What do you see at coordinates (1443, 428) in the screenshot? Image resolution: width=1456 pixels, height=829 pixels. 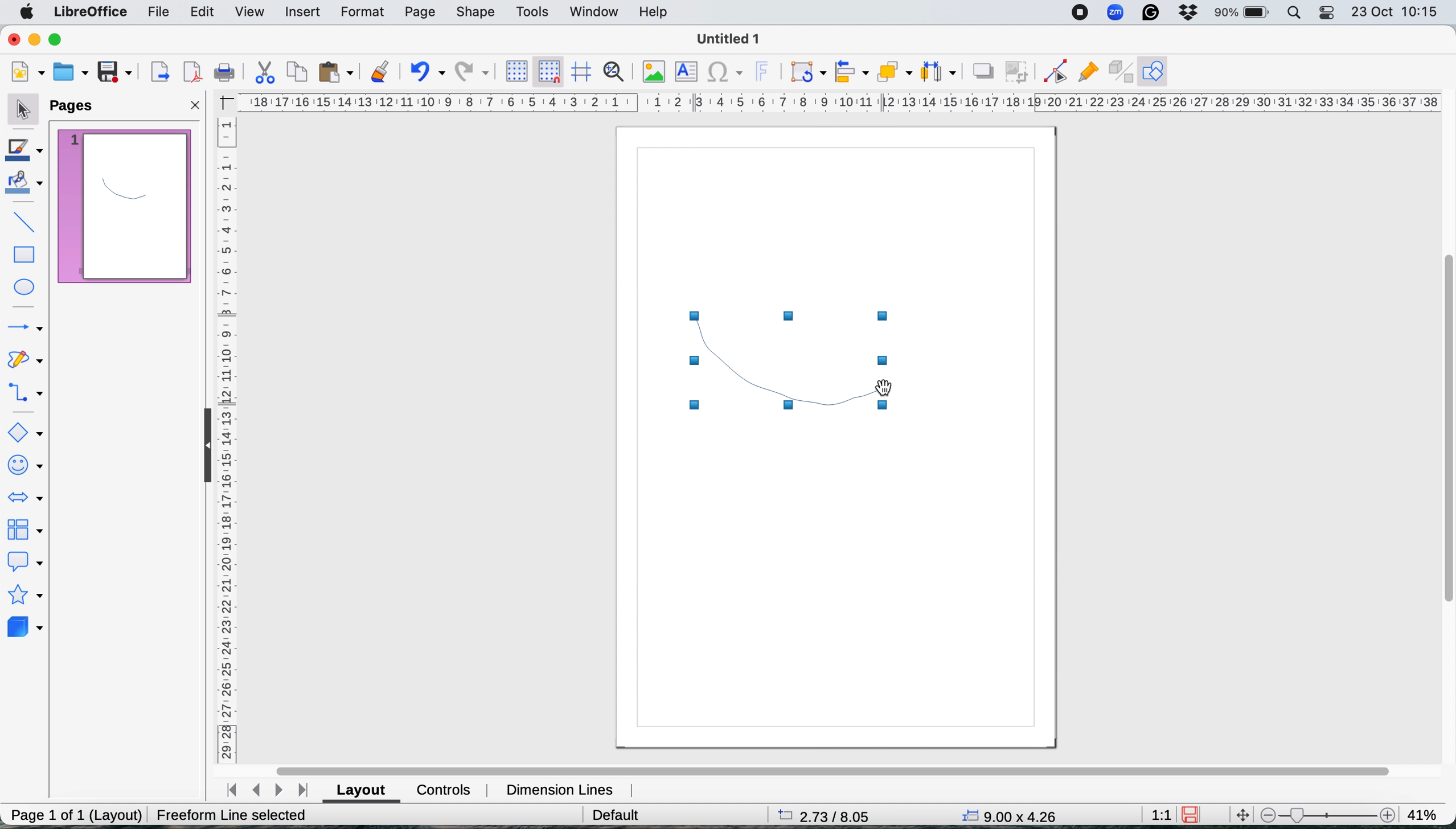 I see `vertical scroll bar` at bounding box center [1443, 428].